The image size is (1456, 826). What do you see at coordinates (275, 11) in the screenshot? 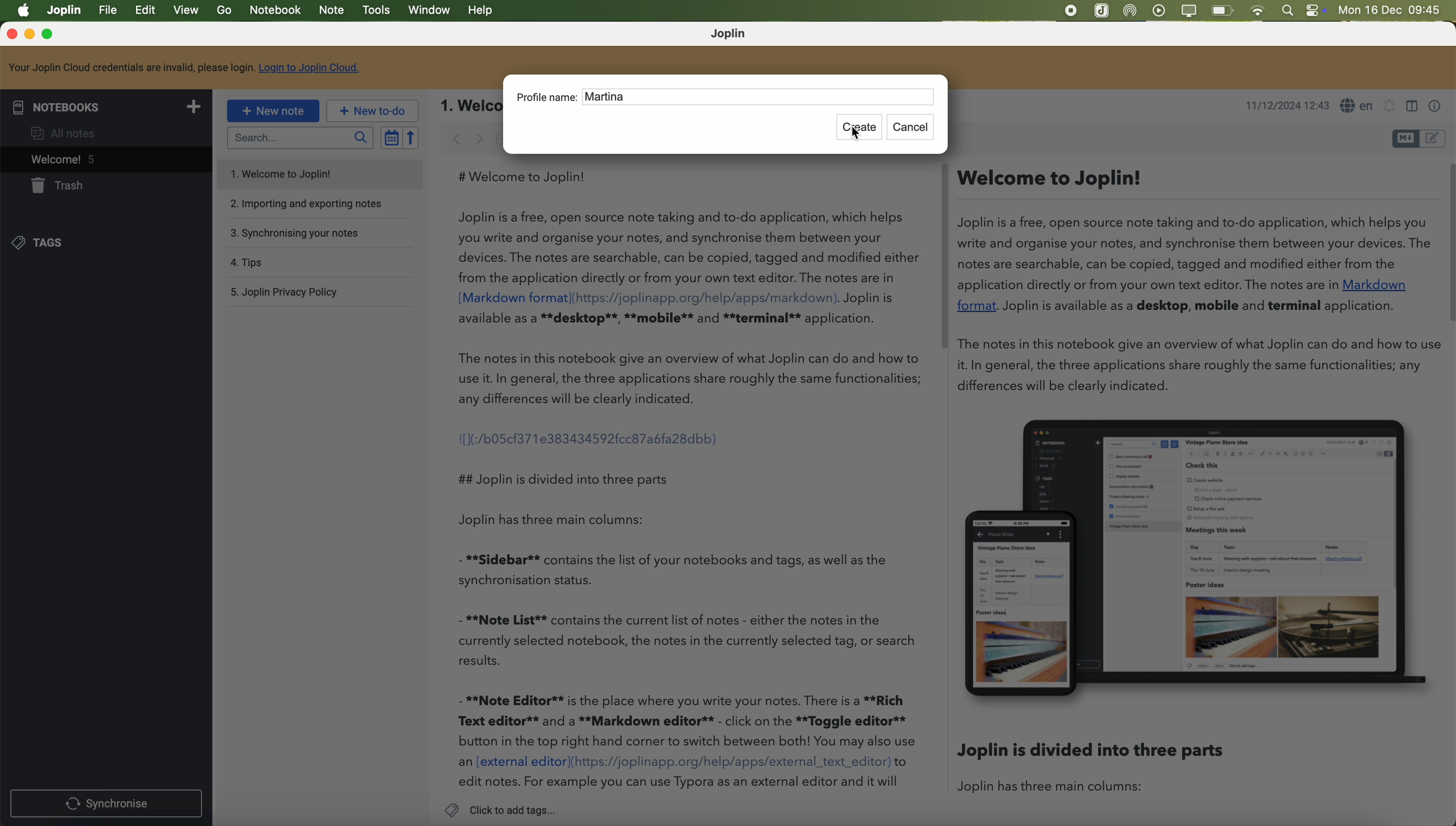
I see `notebook` at bounding box center [275, 11].